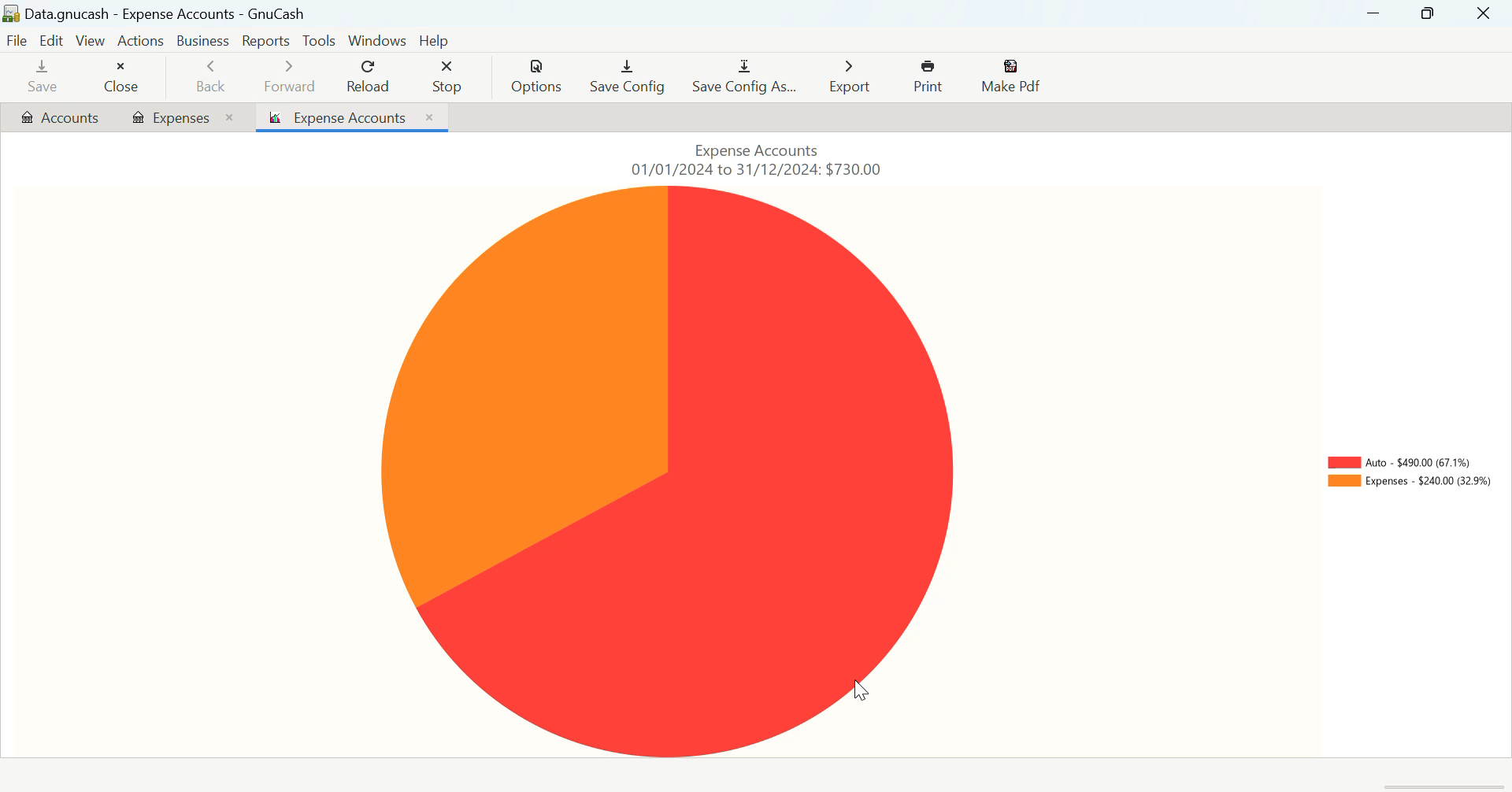 The image size is (1512, 792). What do you see at coordinates (1485, 13) in the screenshot?
I see `Close Window` at bounding box center [1485, 13].